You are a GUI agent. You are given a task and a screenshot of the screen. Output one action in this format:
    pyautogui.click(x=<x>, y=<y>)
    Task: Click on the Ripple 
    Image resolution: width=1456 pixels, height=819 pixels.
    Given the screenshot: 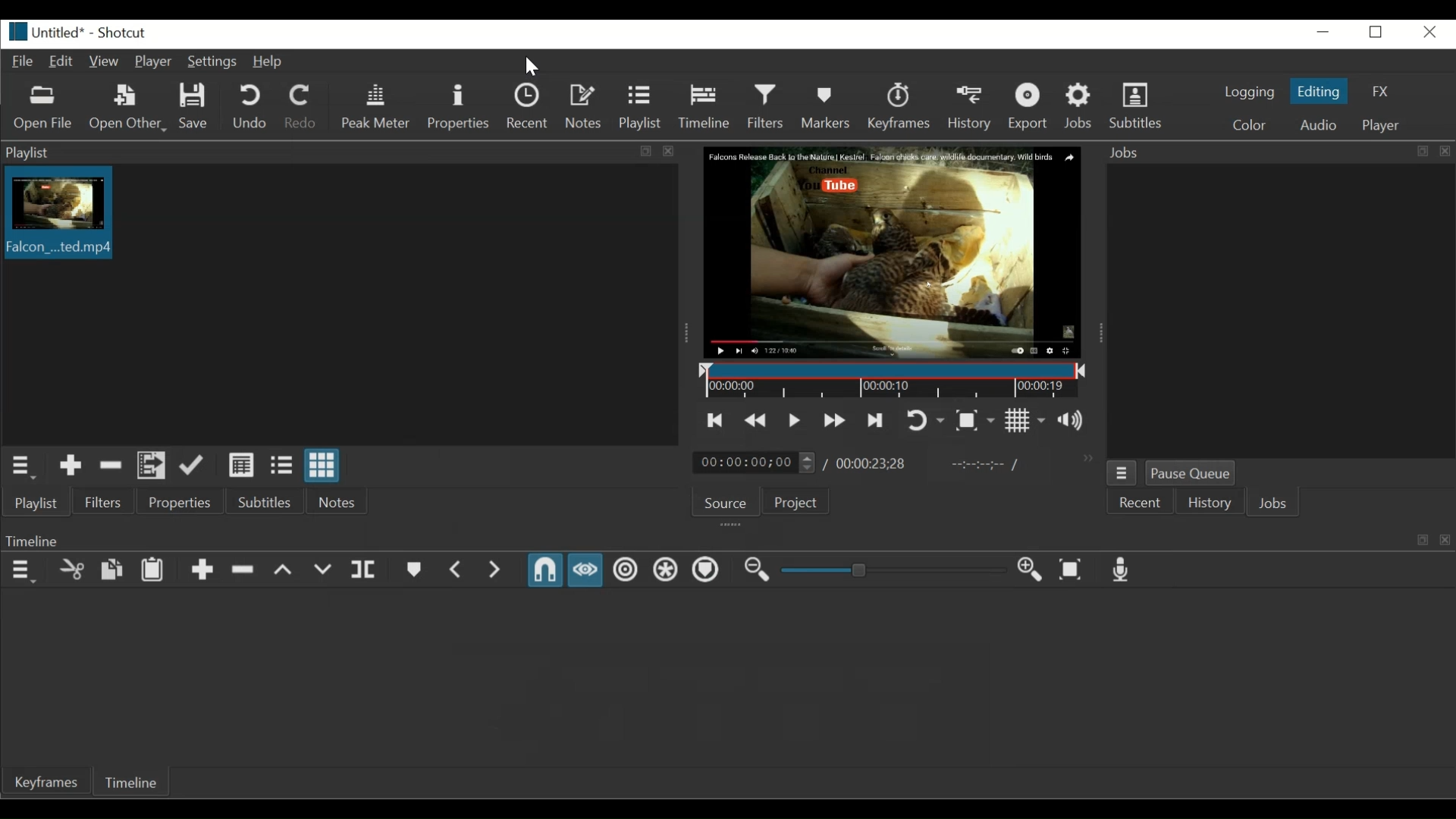 What is the action you would take?
    pyautogui.click(x=626, y=569)
    